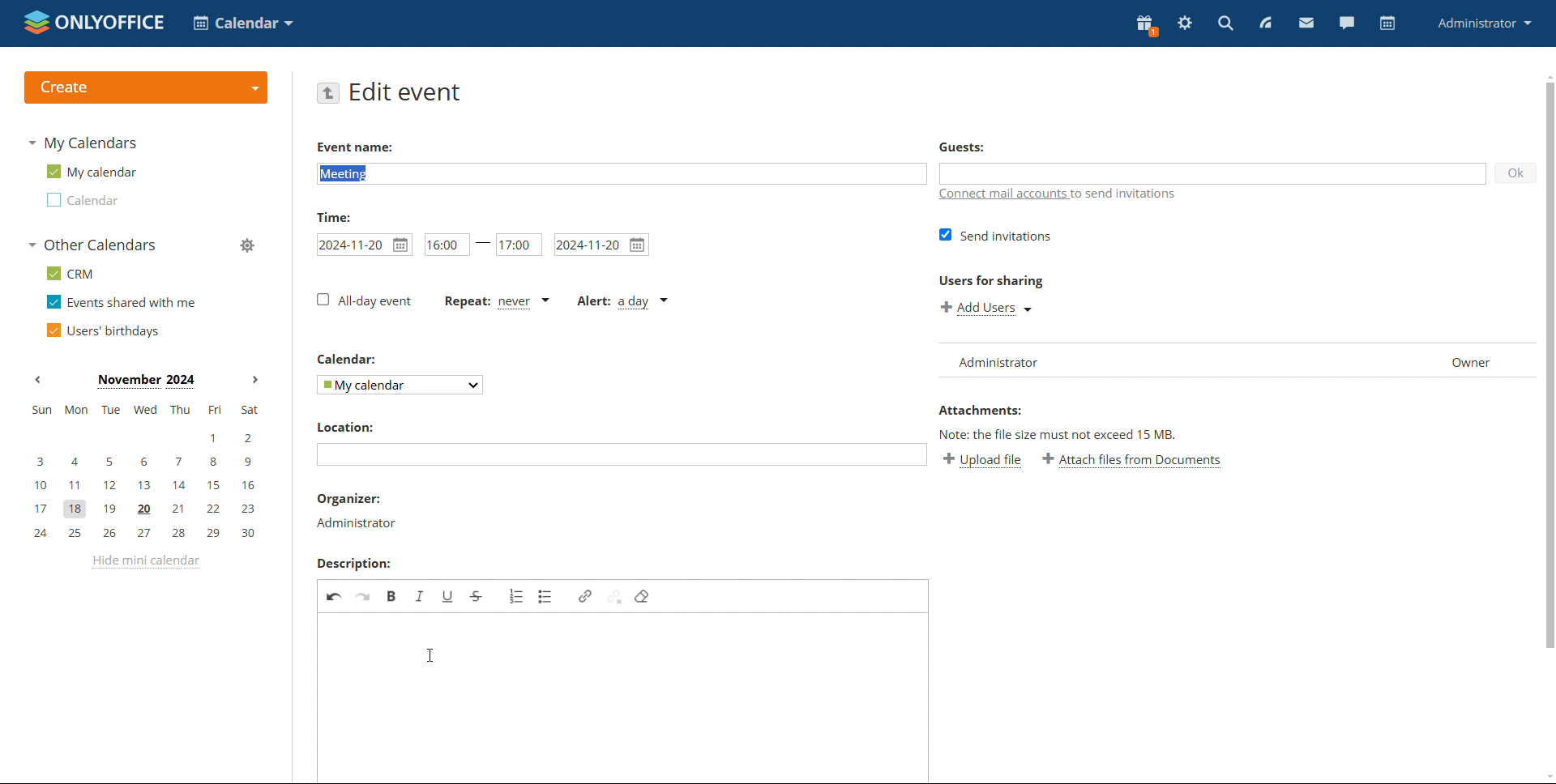  What do you see at coordinates (400, 385) in the screenshot?
I see `select calendar` at bounding box center [400, 385].